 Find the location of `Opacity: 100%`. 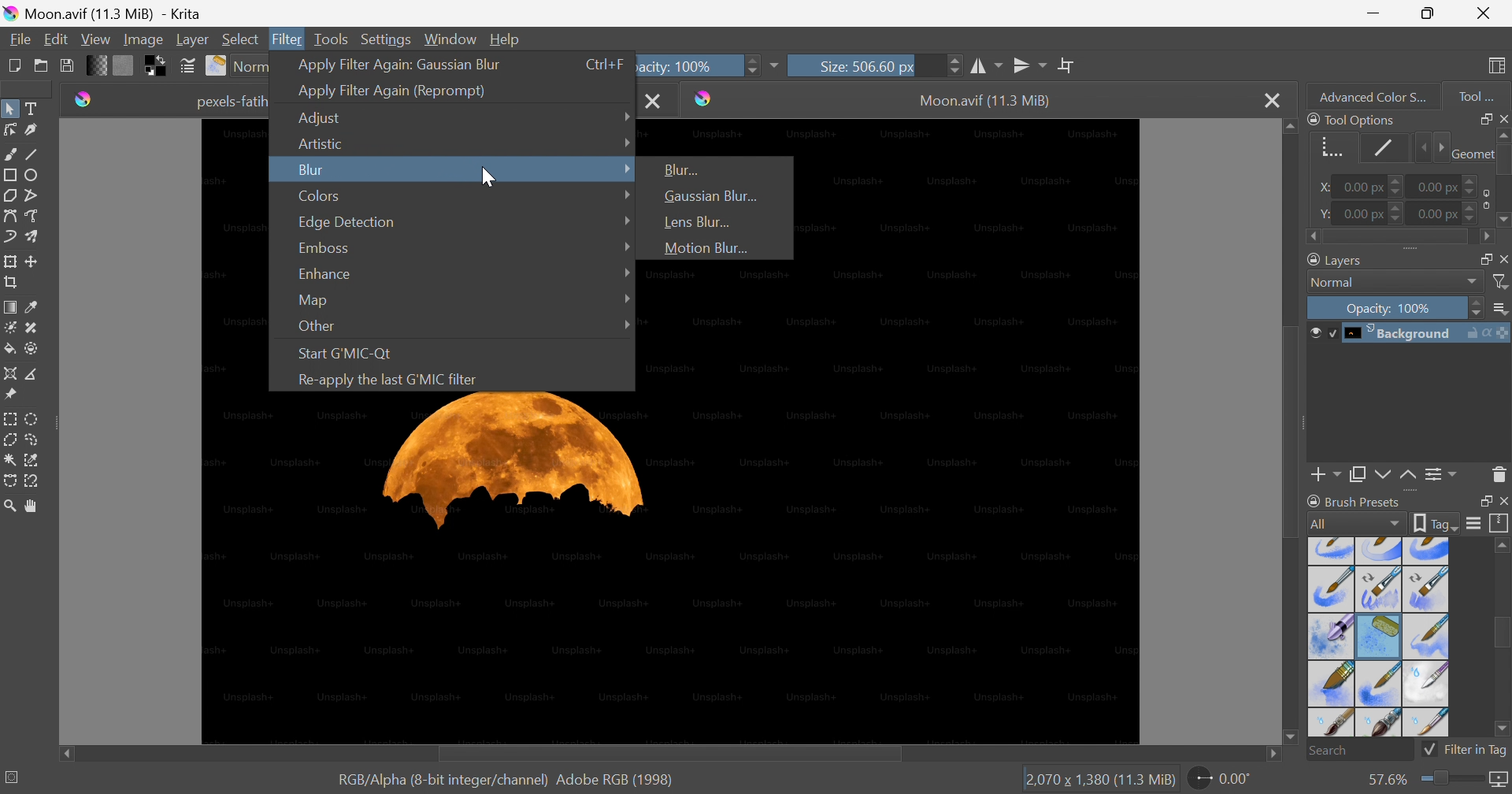

Opacity: 100% is located at coordinates (1393, 306).